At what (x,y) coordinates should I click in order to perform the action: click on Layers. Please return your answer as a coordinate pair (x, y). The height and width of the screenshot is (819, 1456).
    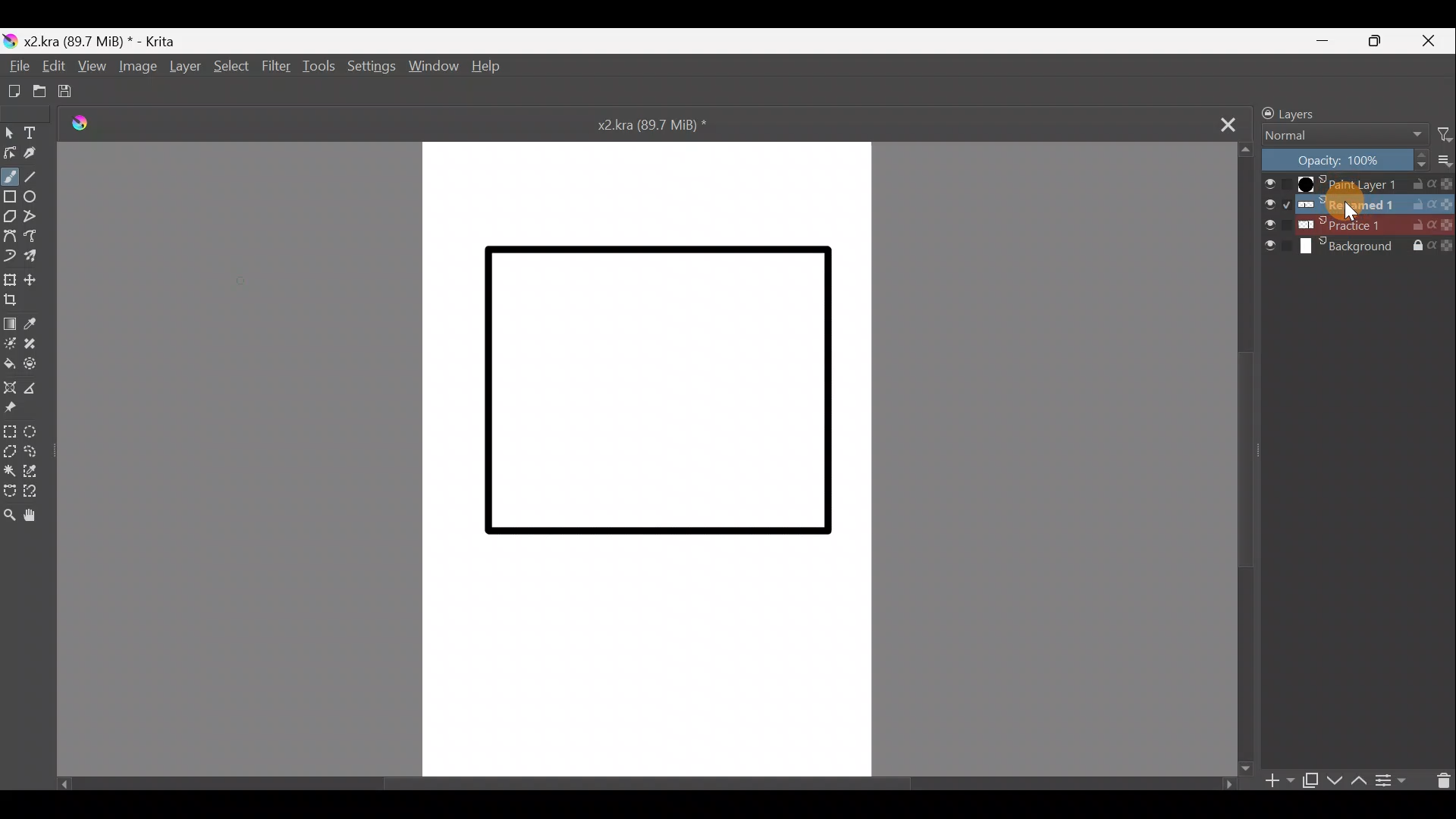
    Looking at the image, I should click on (1303, 111).